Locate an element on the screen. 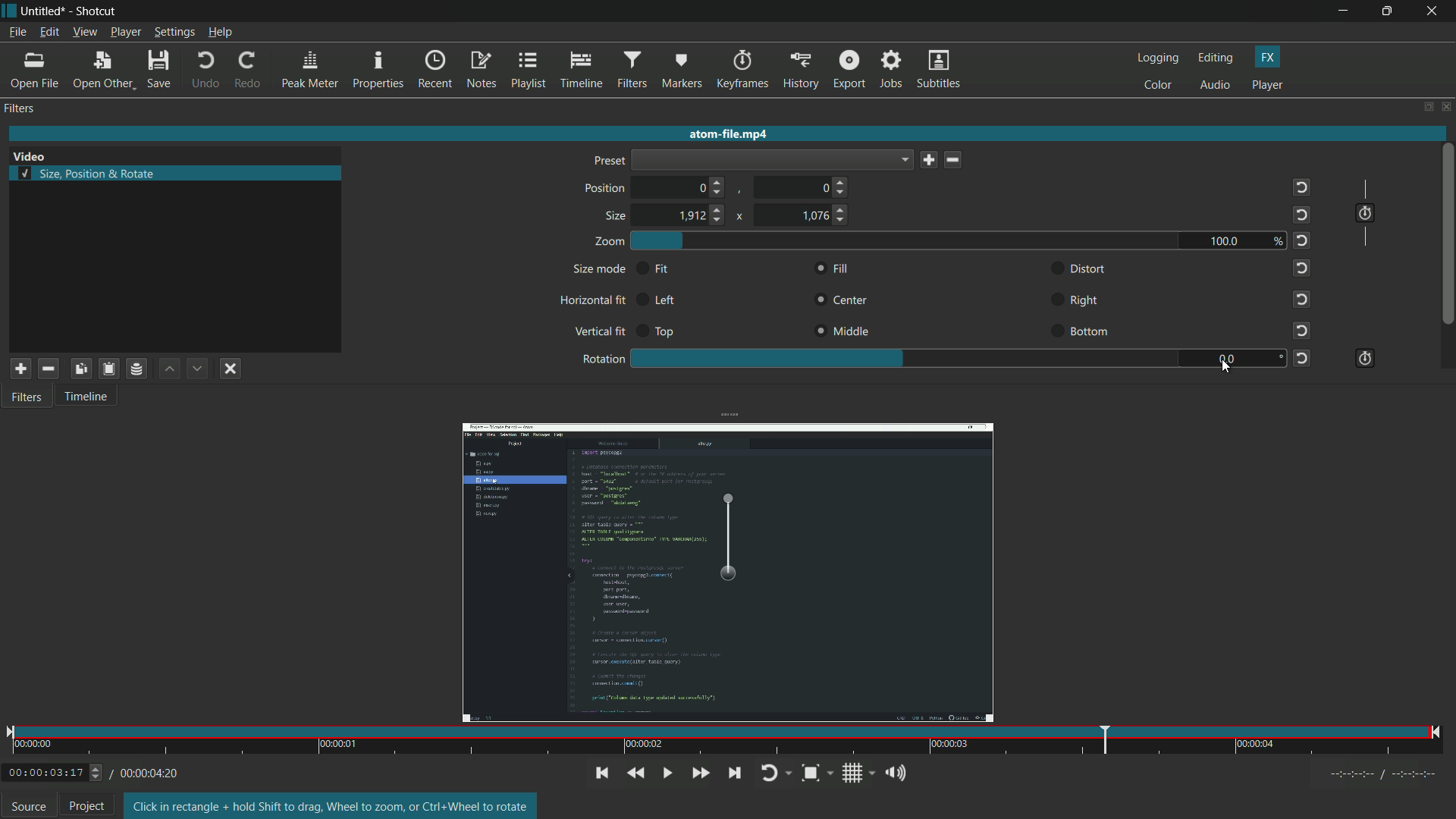  remove selected filter is located at coordinates (49, 368).